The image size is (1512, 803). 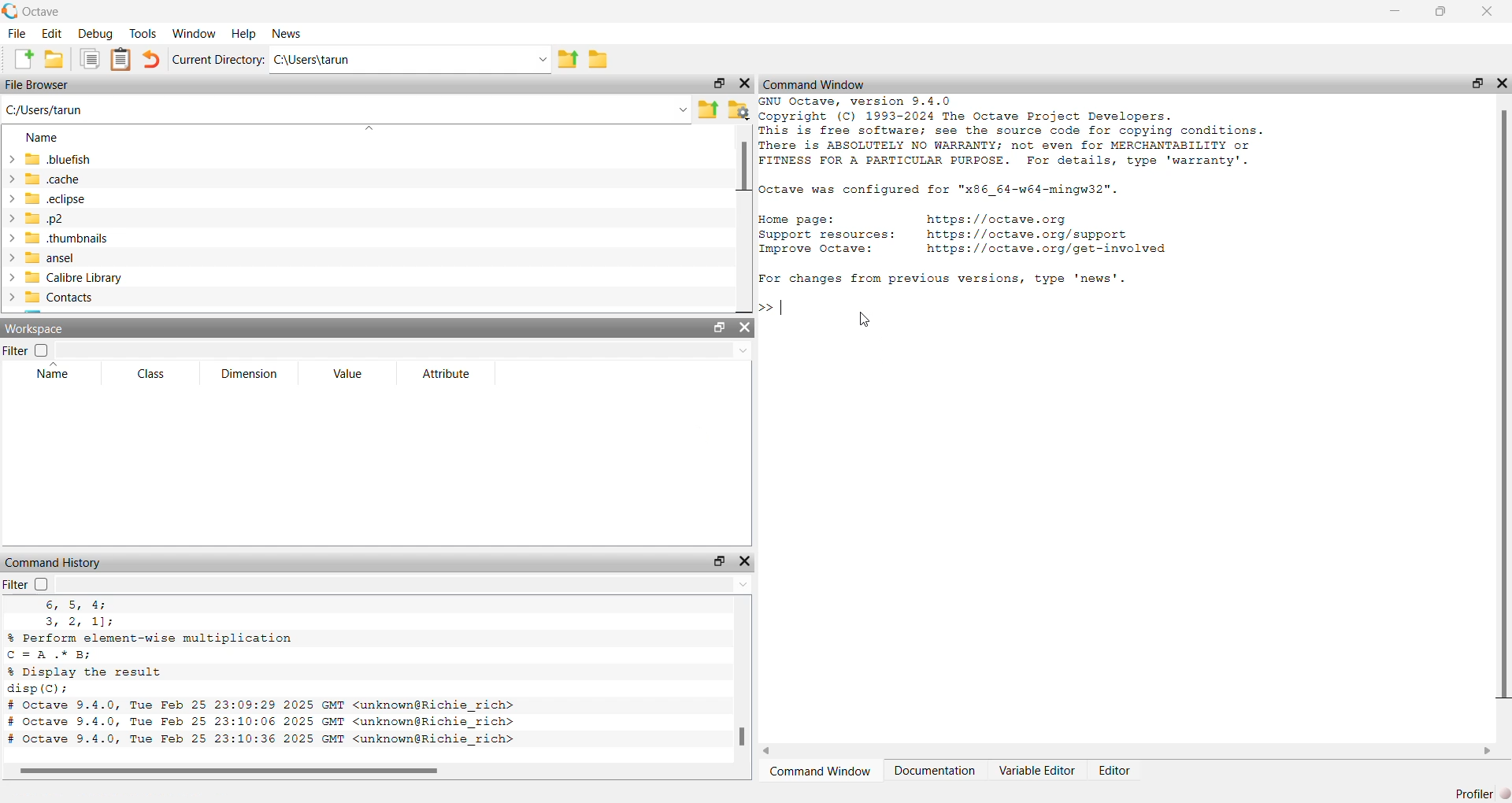 What do you see at coordinates (253, 374) in the screenshot?
I see `Dimension` at bounding box center [253, 374].